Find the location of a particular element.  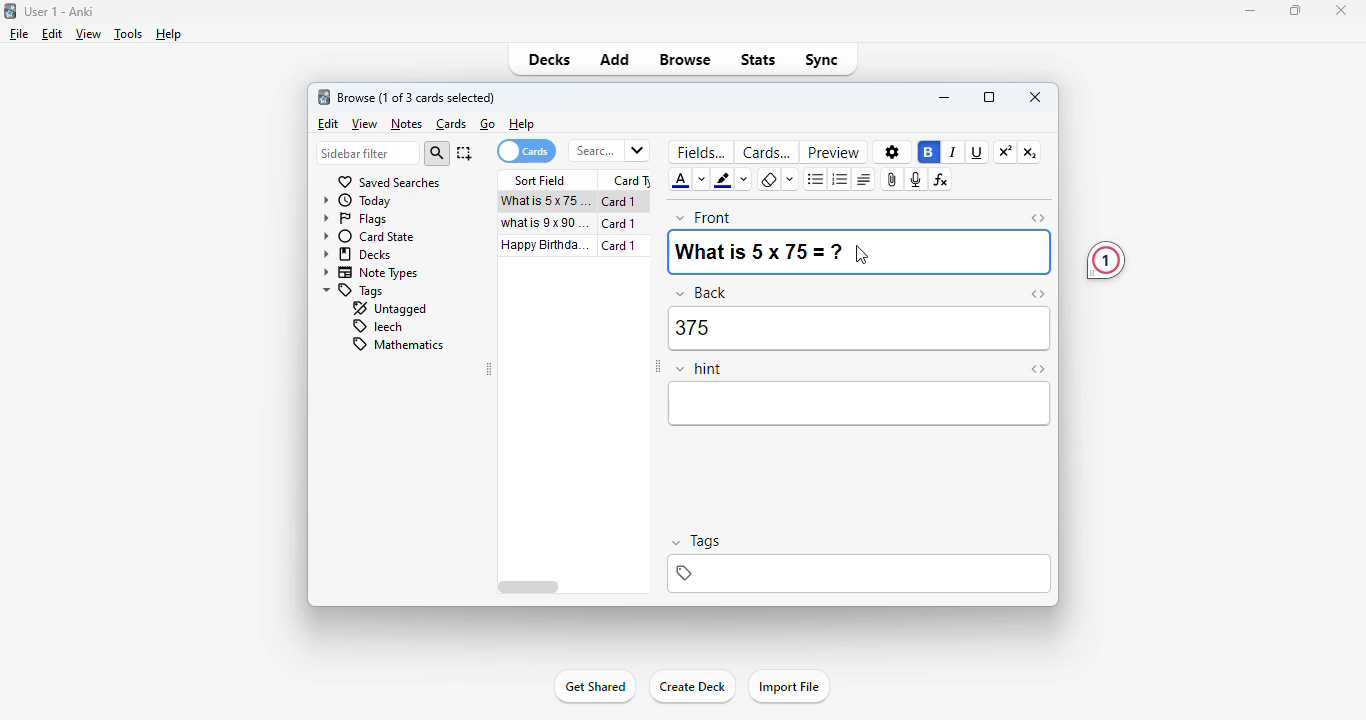

toggle HTML editor is located at coordinates (1038, 369).